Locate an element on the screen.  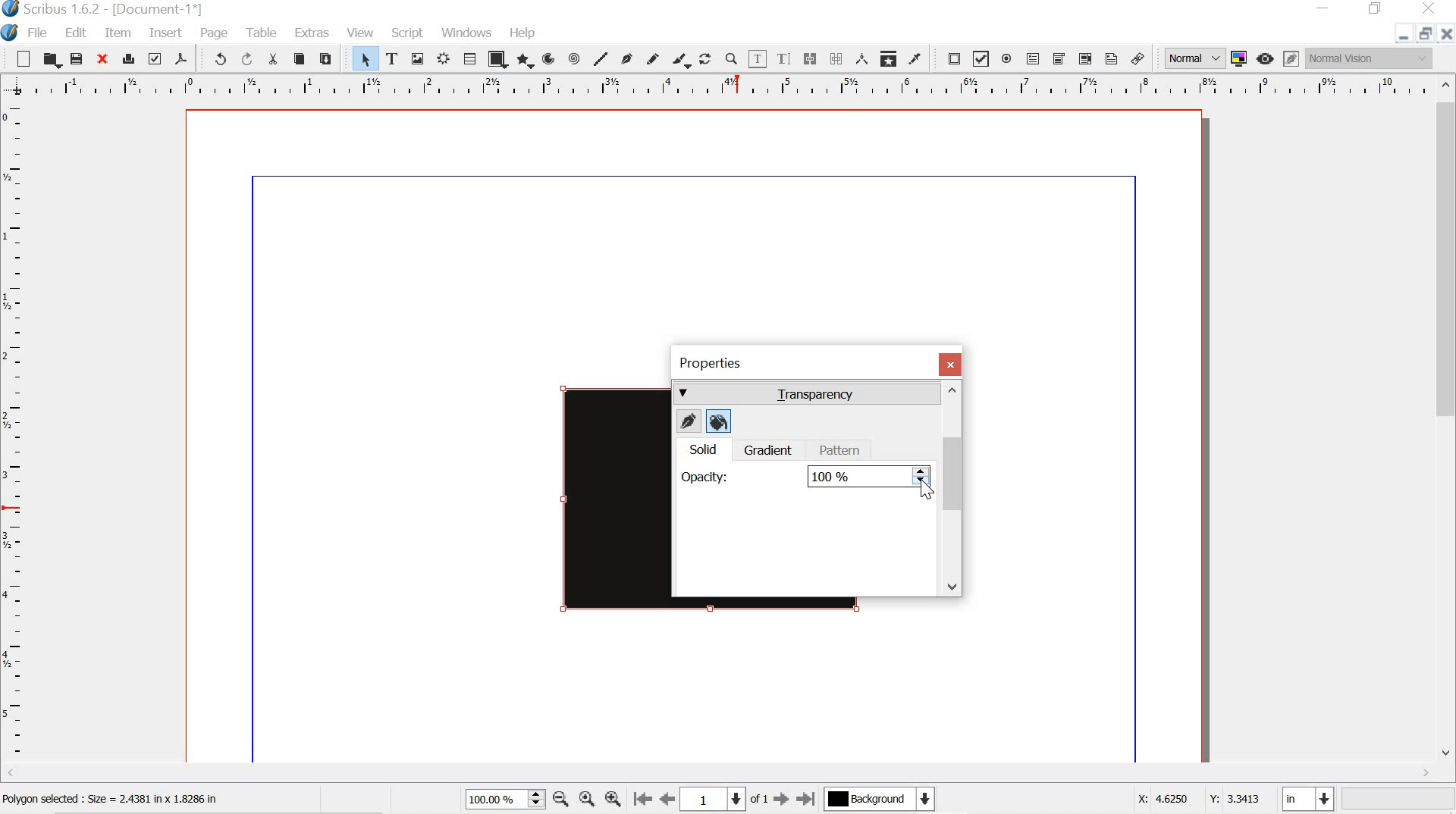
extras is located at coordinates (311, 33).